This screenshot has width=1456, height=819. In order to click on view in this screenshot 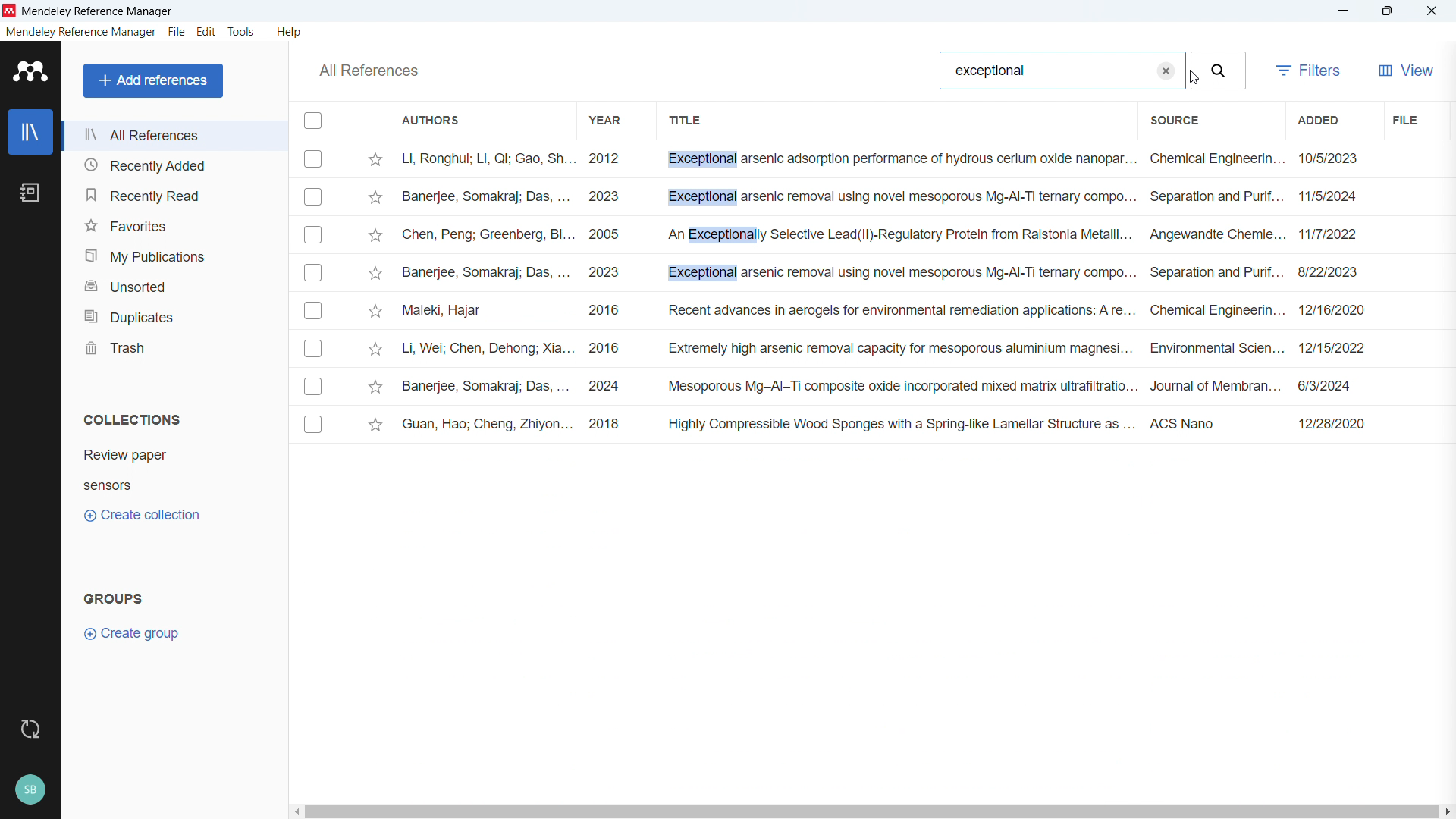, I will do `click(1404, 71)`.